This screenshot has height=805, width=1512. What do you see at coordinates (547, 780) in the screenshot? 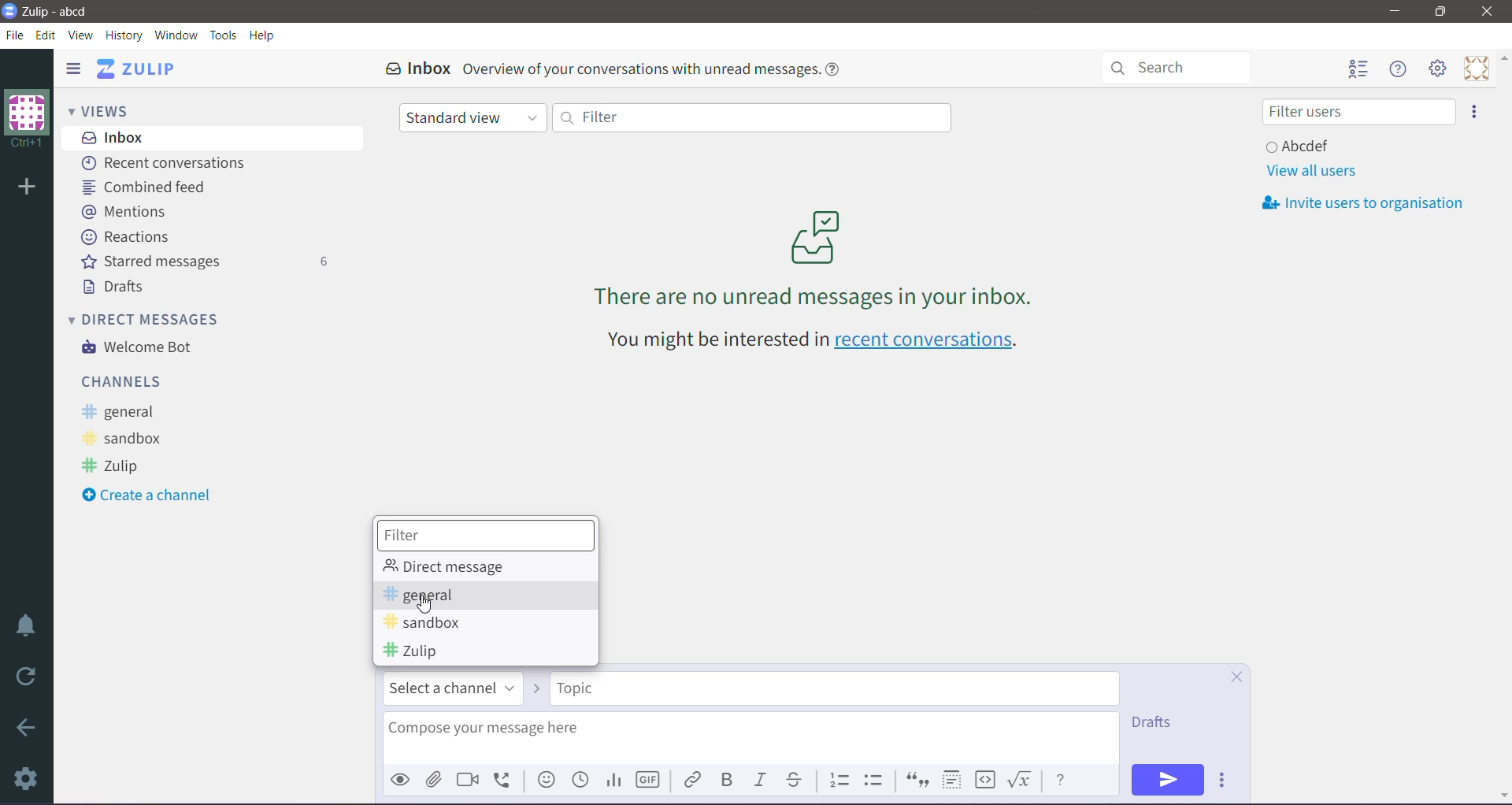
I see `Add emoji` at bounding box center [547, 780].